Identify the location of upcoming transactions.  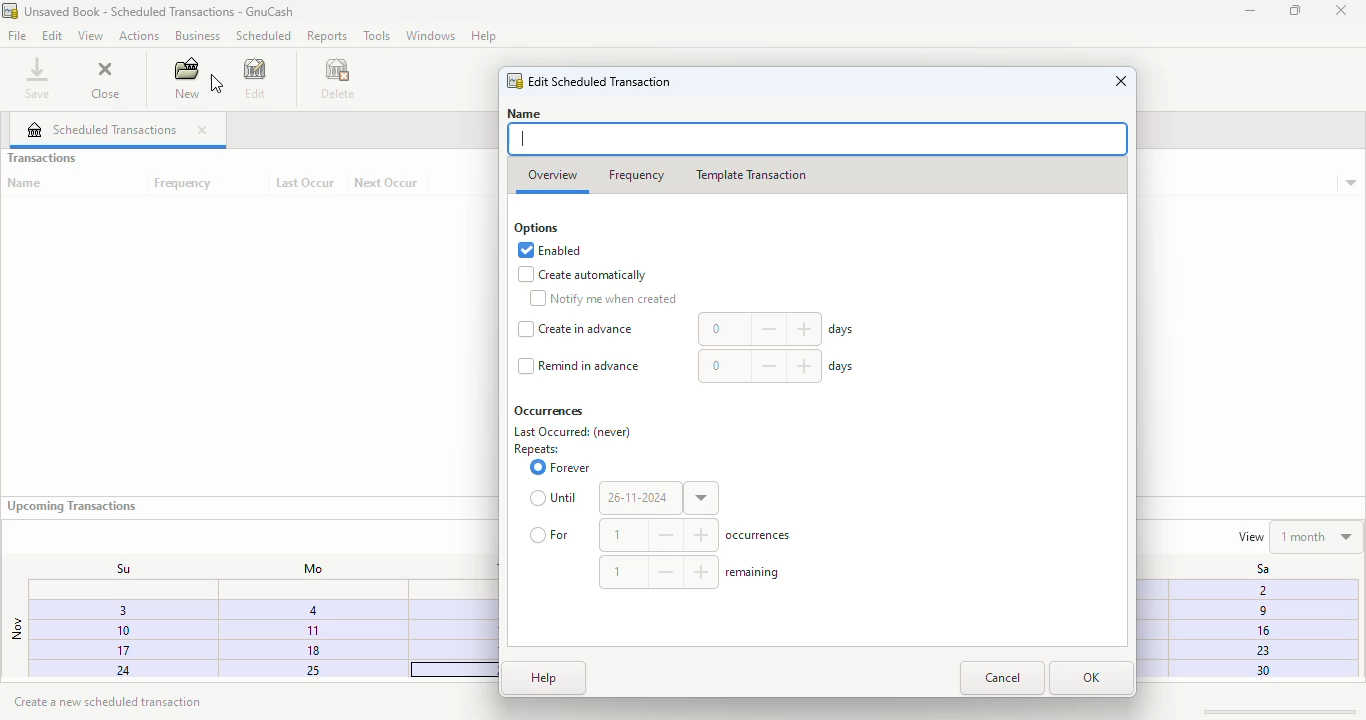
(71, 506).